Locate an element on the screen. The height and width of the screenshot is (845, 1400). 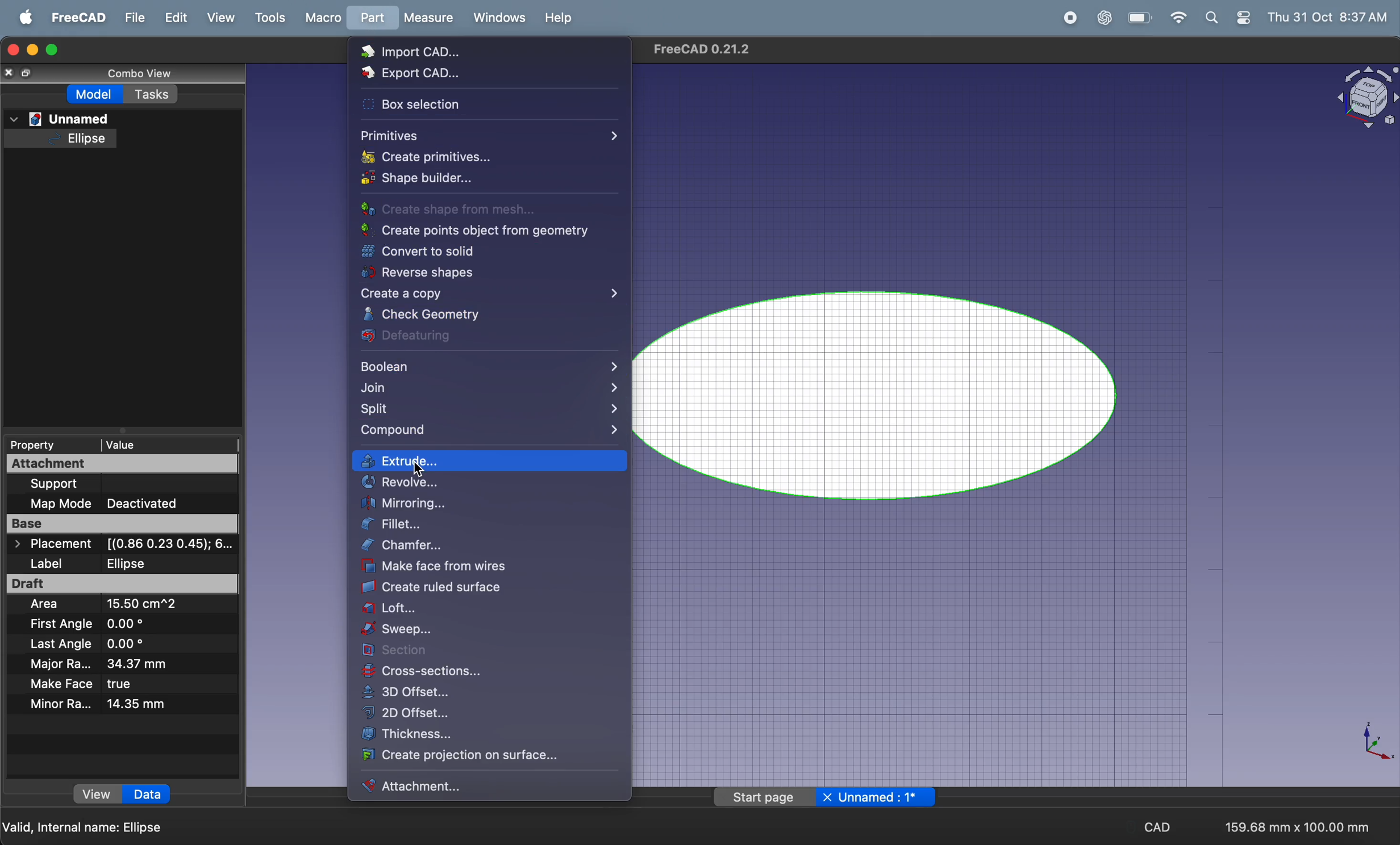
deactivated is located at coordinates (161, 505).